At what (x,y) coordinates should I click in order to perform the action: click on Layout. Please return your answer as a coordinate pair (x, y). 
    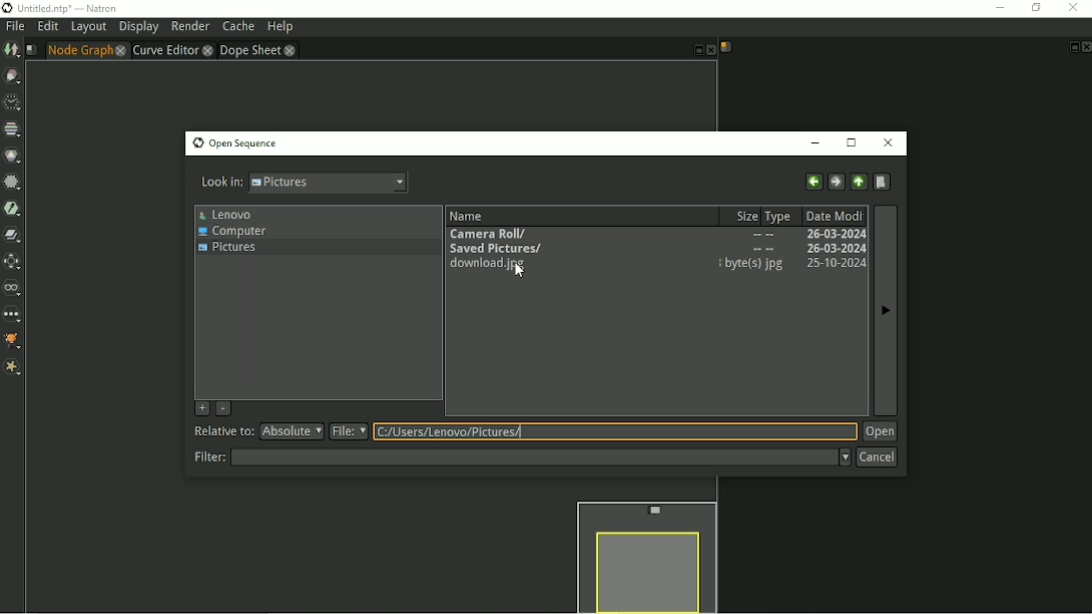
    Looking at the image, I should click on (88, 28).